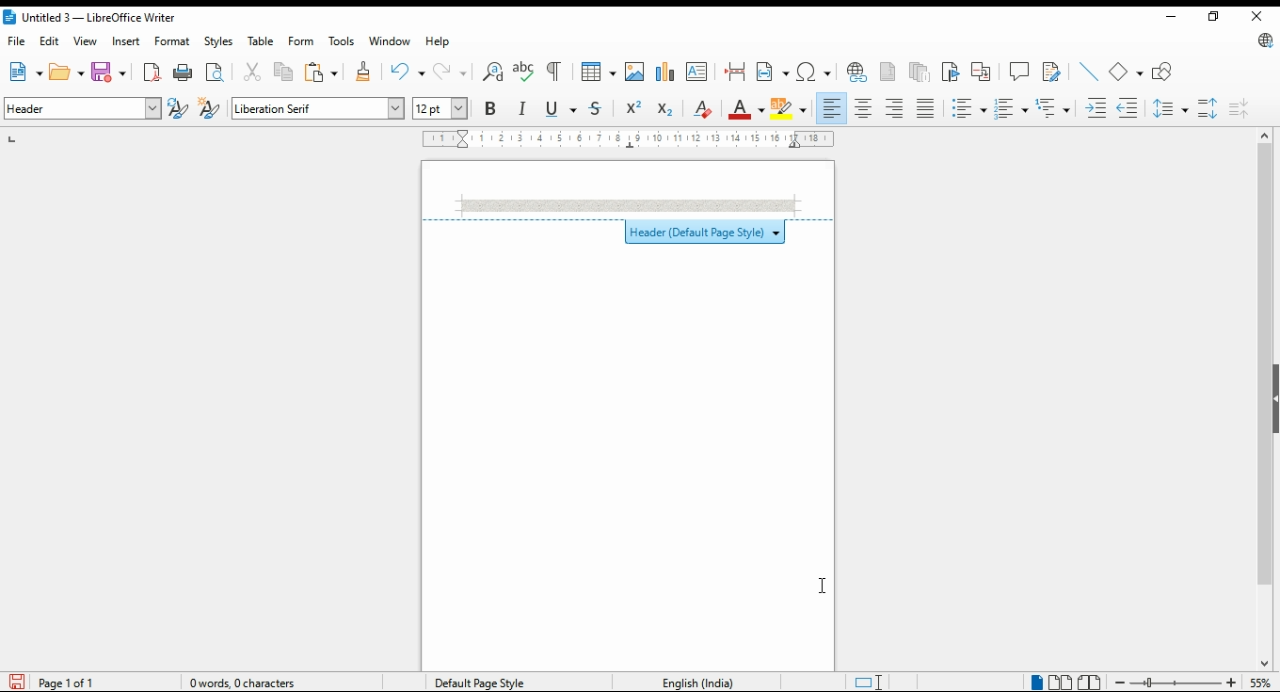 The width and height of the screenshot is (1280, 692). What do you see at coordinates (981, 71) in the screenshot?
I see `insert cross-reference` at bounding box center [981, 71].